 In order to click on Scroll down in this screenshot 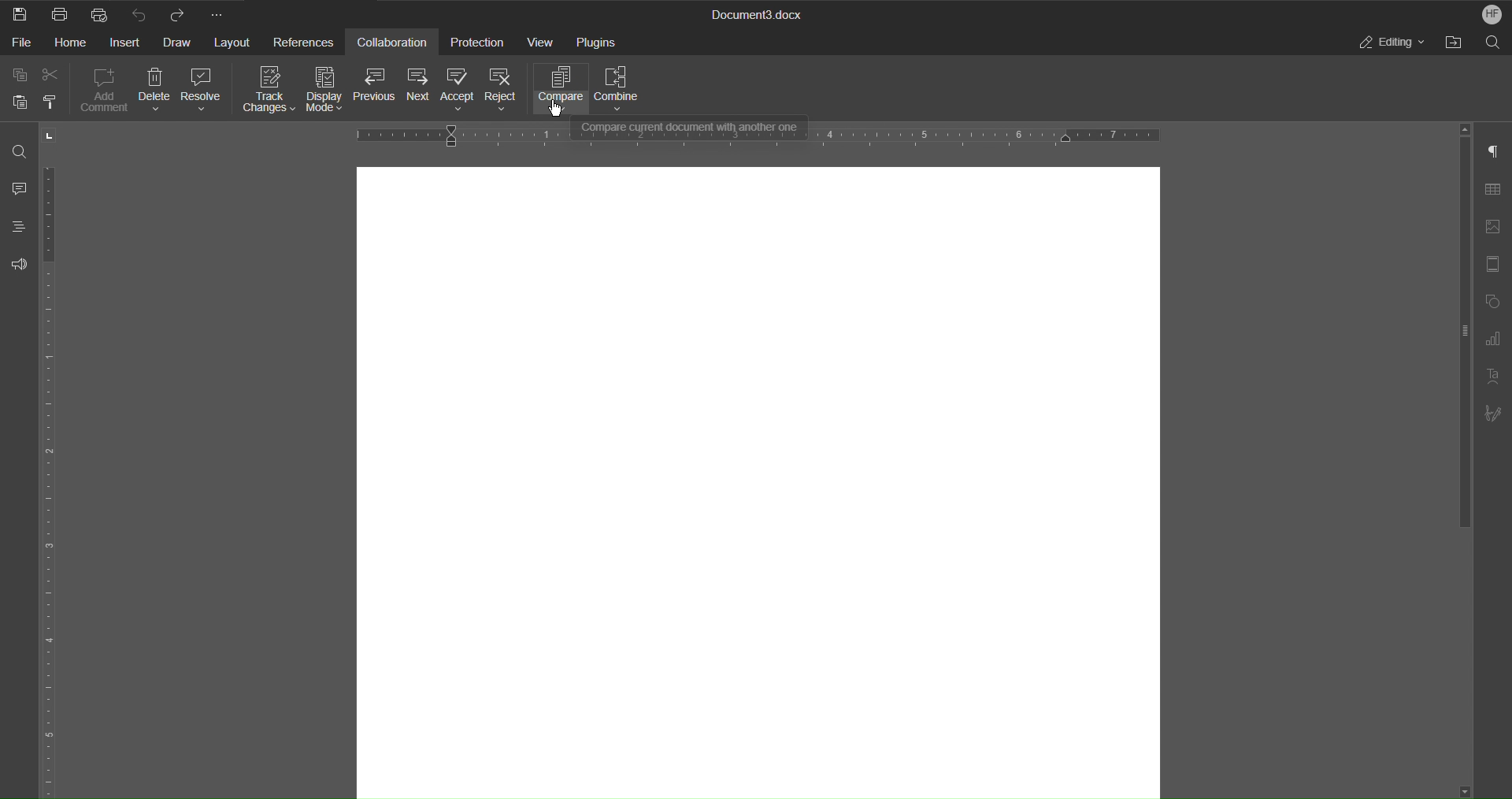, I will do `click(1466, 789)`.